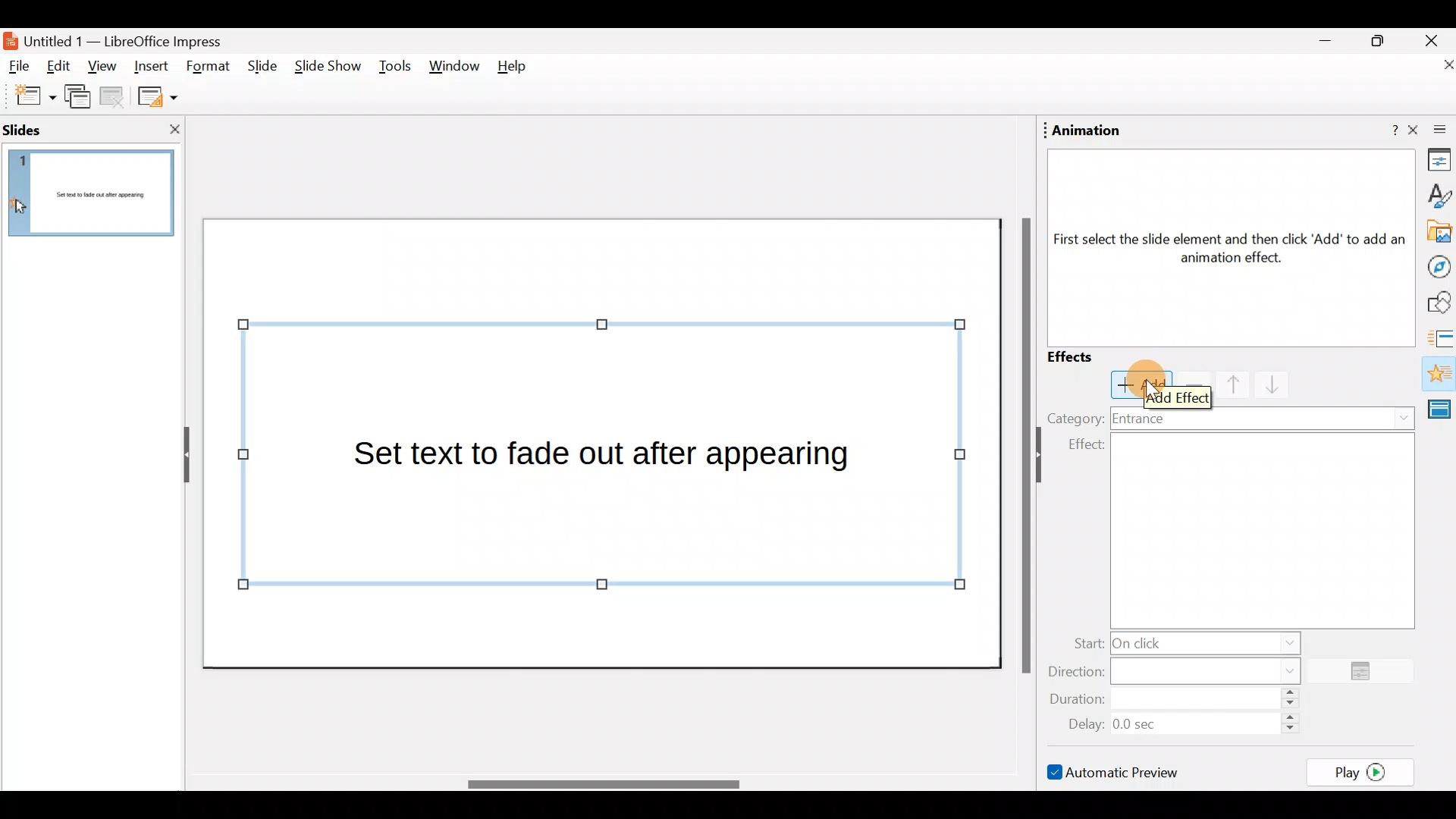  What do you see at coordinates (1436, 232) in the screenshot?
I see `Gallery` at bounding box center [1436, 232].